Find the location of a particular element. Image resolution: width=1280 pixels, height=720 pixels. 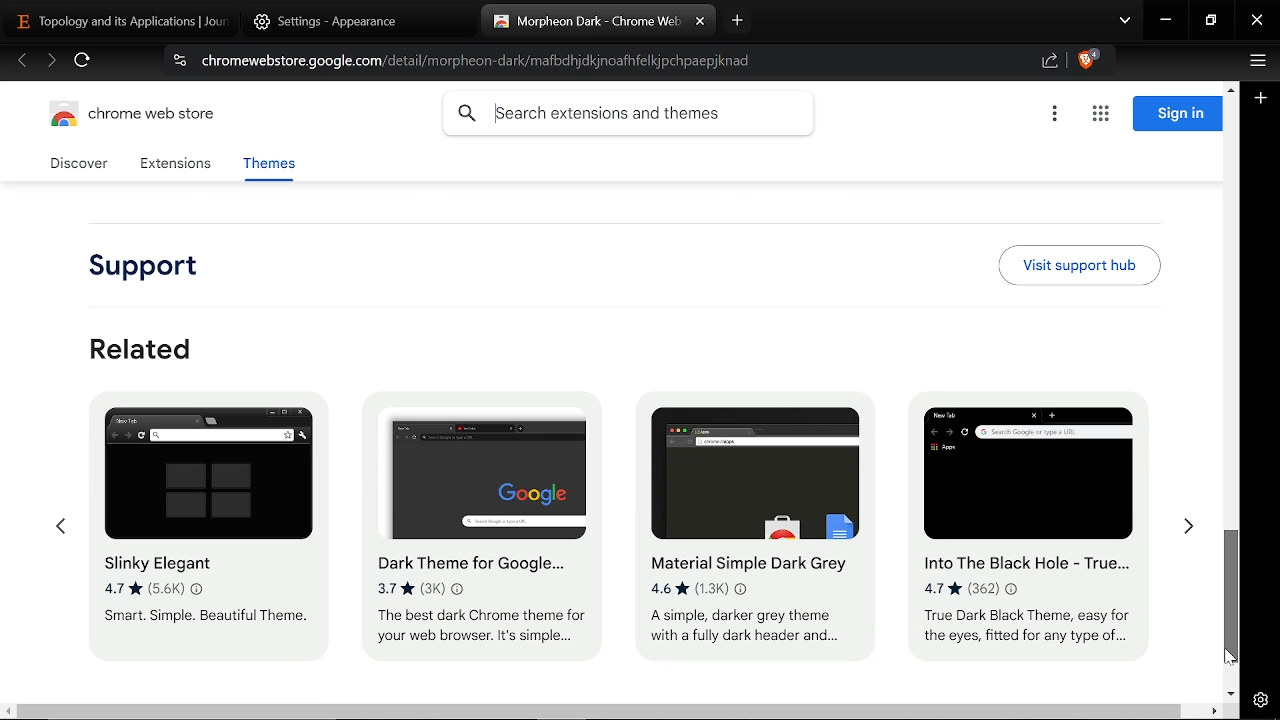

Cite information is located at coordinates (178, 63).